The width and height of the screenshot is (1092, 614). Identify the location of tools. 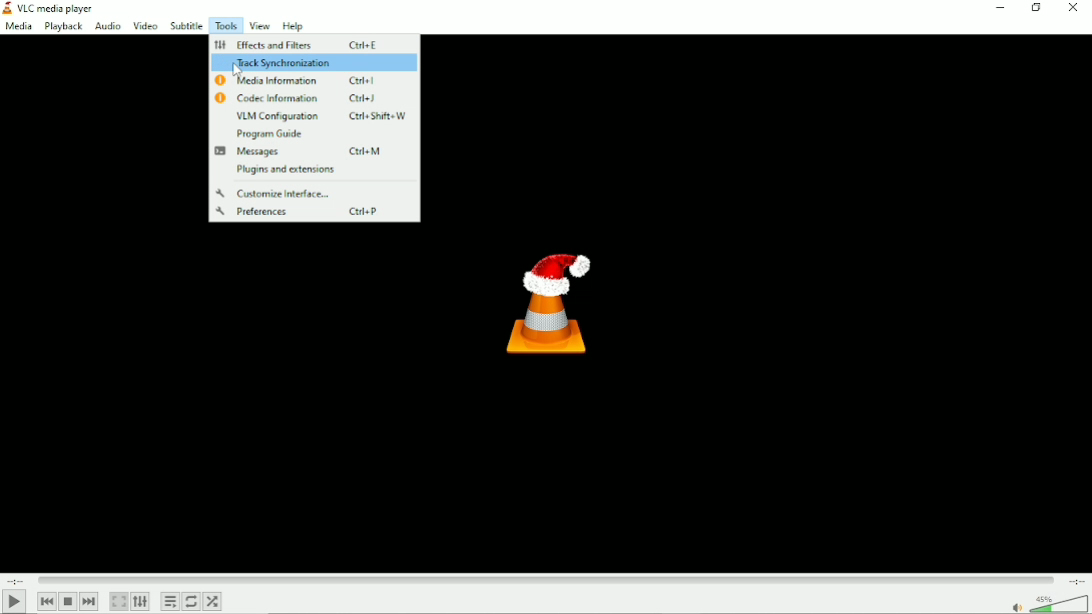
(224, 26).